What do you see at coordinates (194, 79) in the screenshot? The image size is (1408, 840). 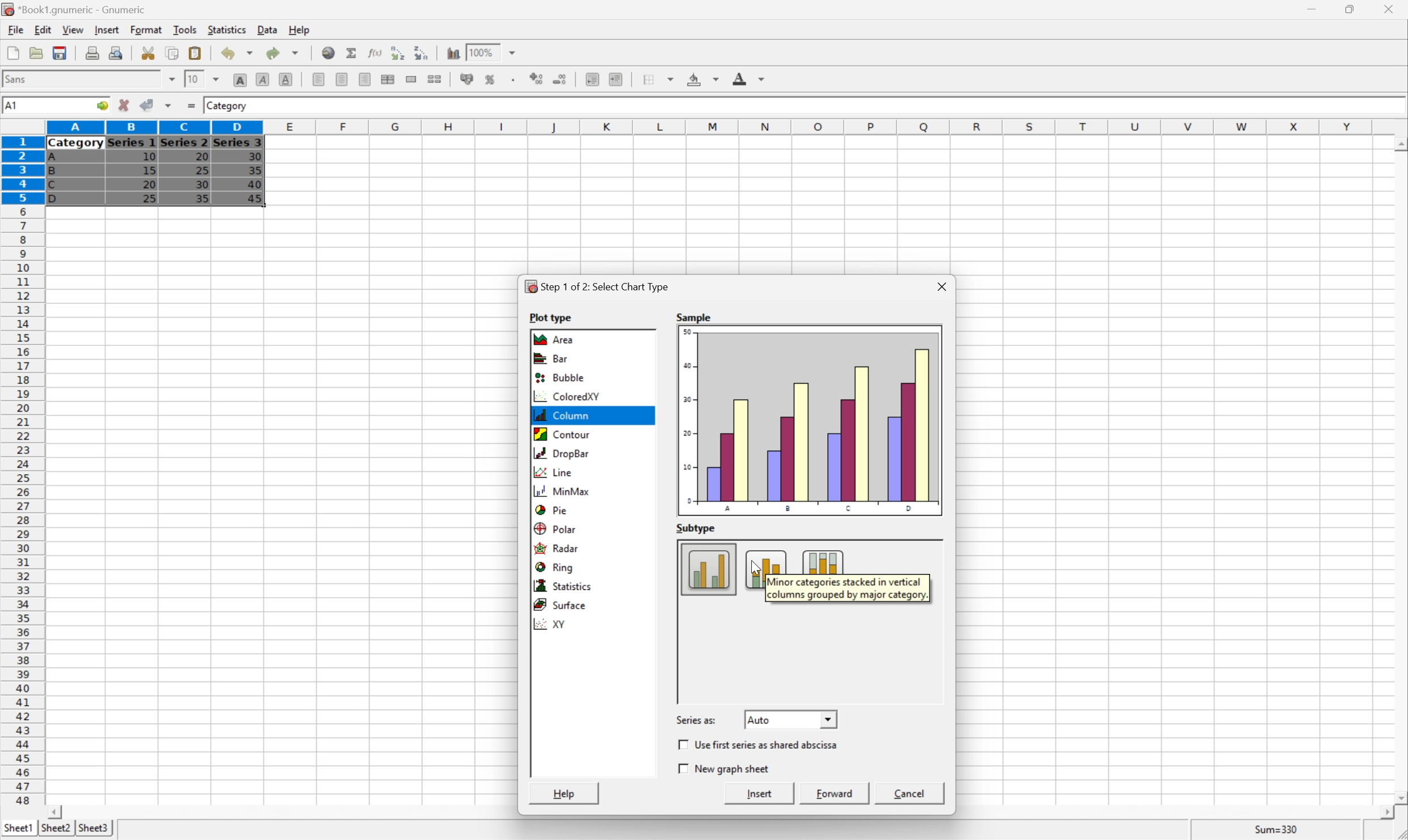 I see `10` at bounding box center [194, 79].